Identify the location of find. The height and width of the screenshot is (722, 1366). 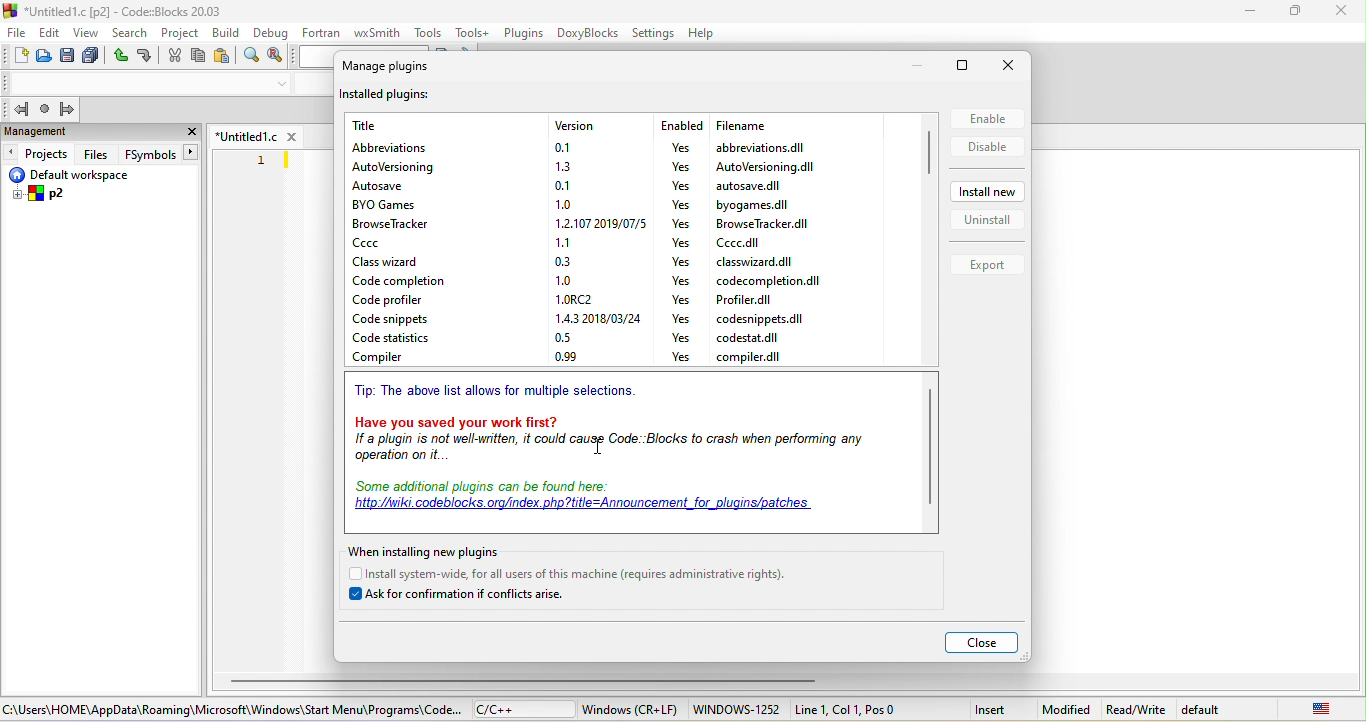
(255, 56).